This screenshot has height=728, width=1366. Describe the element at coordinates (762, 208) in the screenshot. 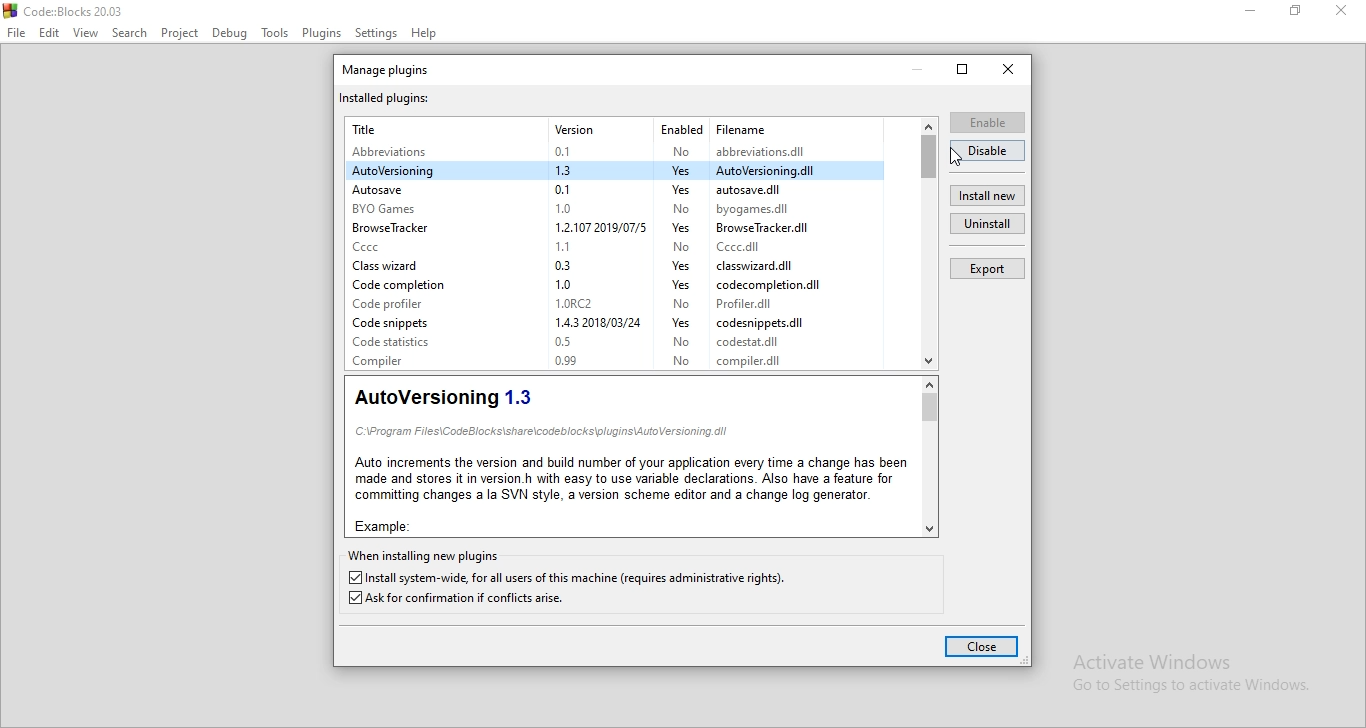

I see `byogames.dll` at that location.